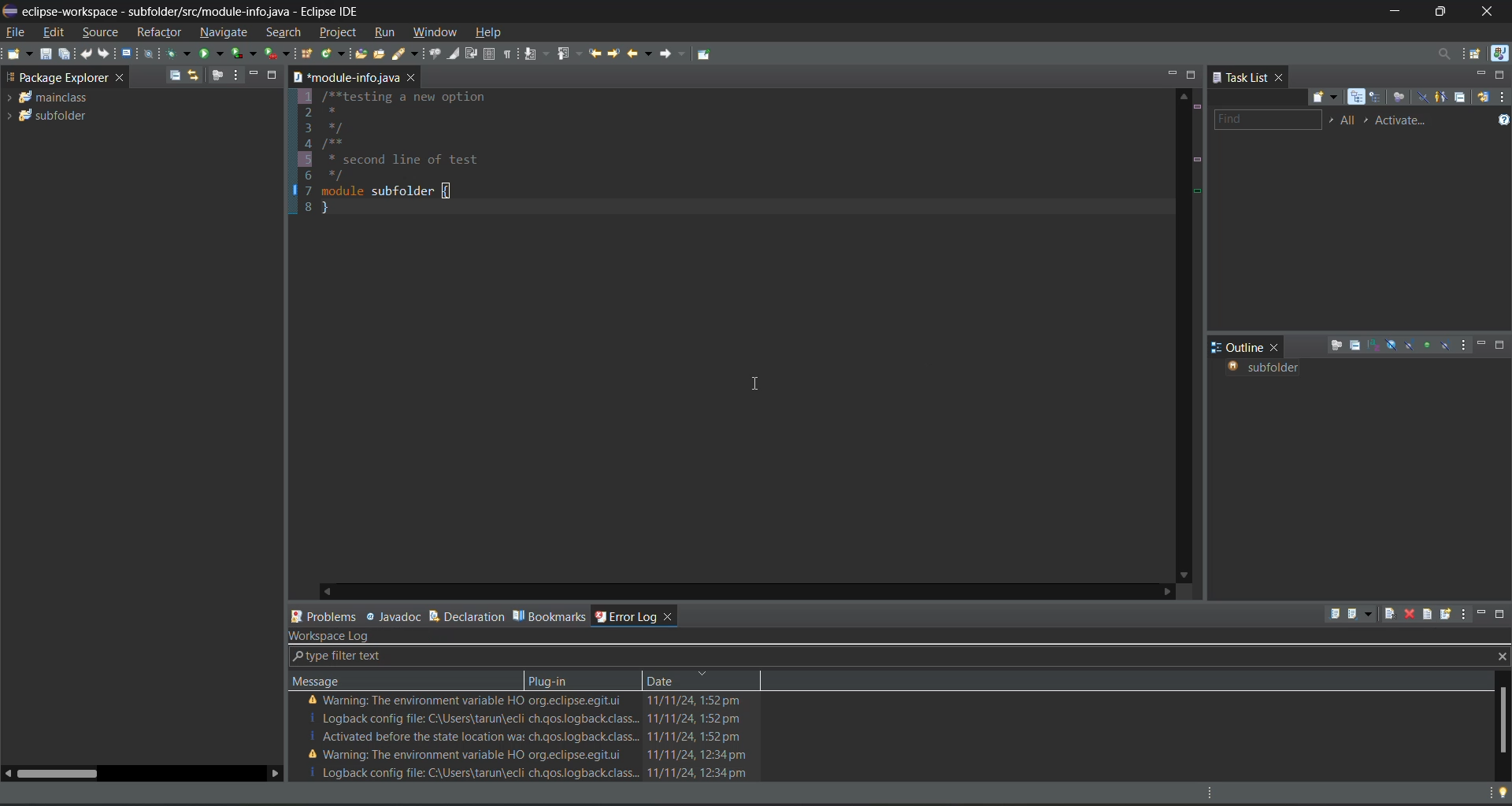 The width and height of the screenshot is (1512, 806). I want to click on close, so click(122, 79).